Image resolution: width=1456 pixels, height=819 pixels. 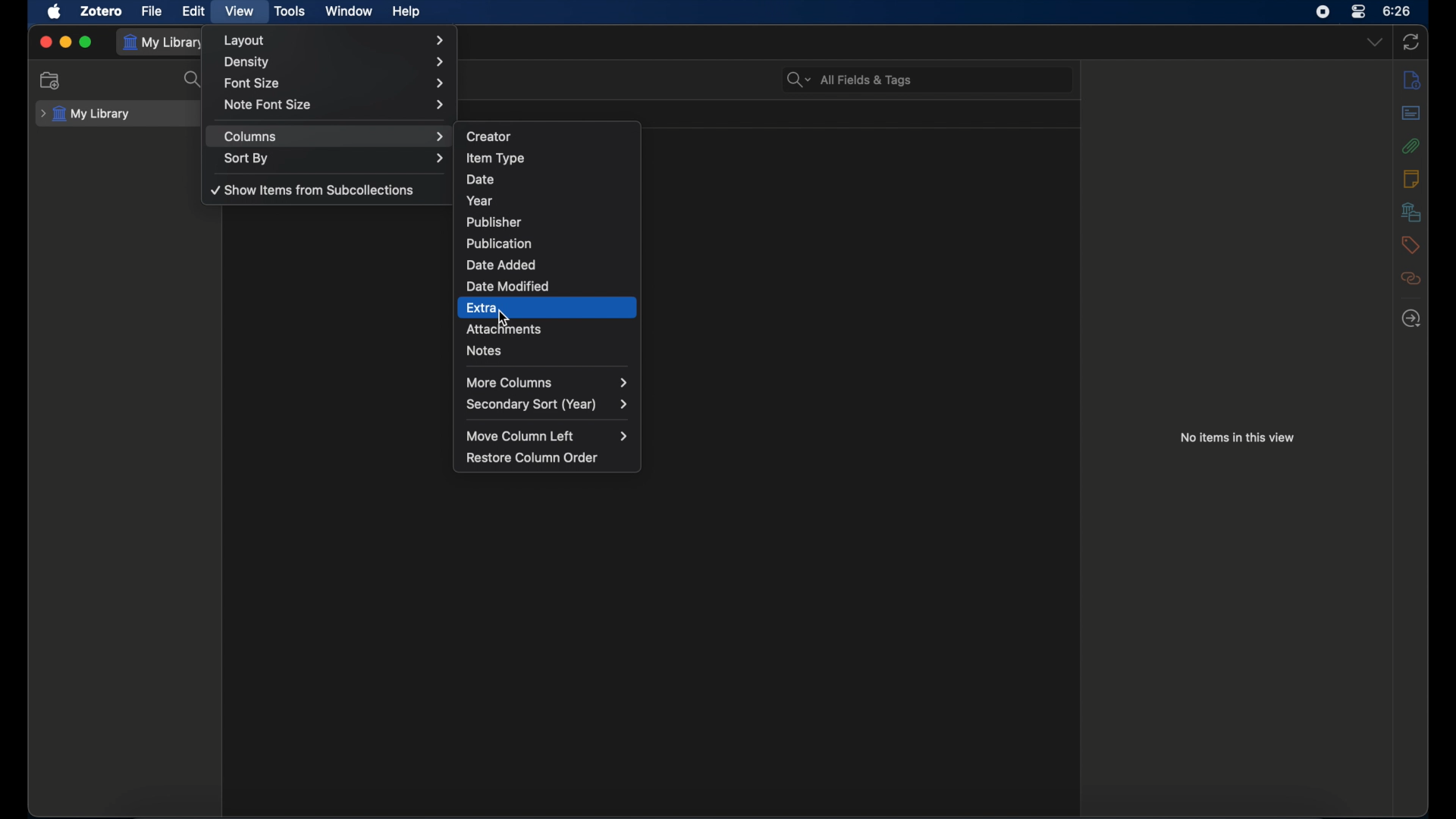 What do you see at coordinates (333, 84) in the screenshot?
I see `font size` at bounding box center [333, 84].